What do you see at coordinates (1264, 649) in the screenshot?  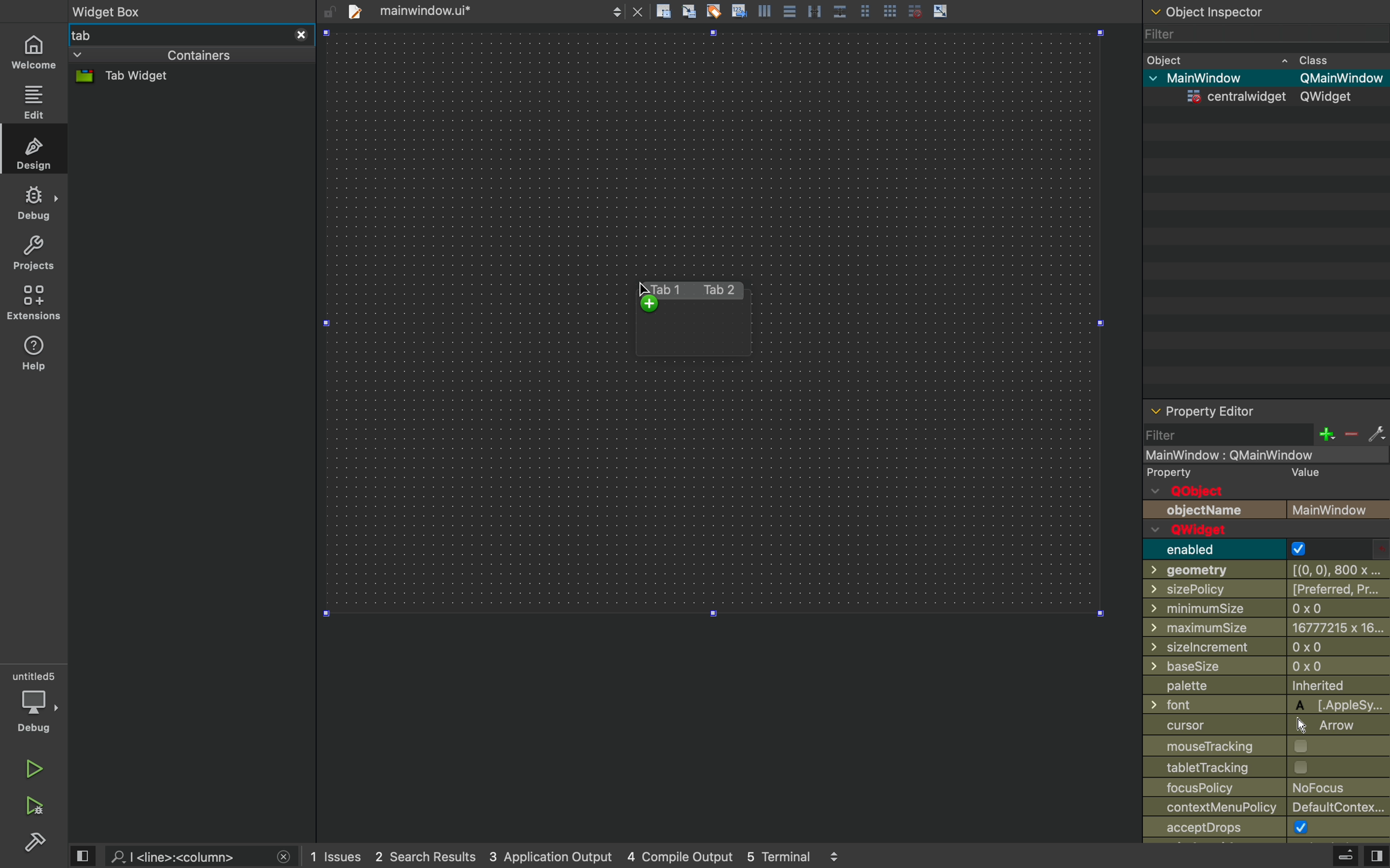 I see `` at bounding box center [1264, 649].